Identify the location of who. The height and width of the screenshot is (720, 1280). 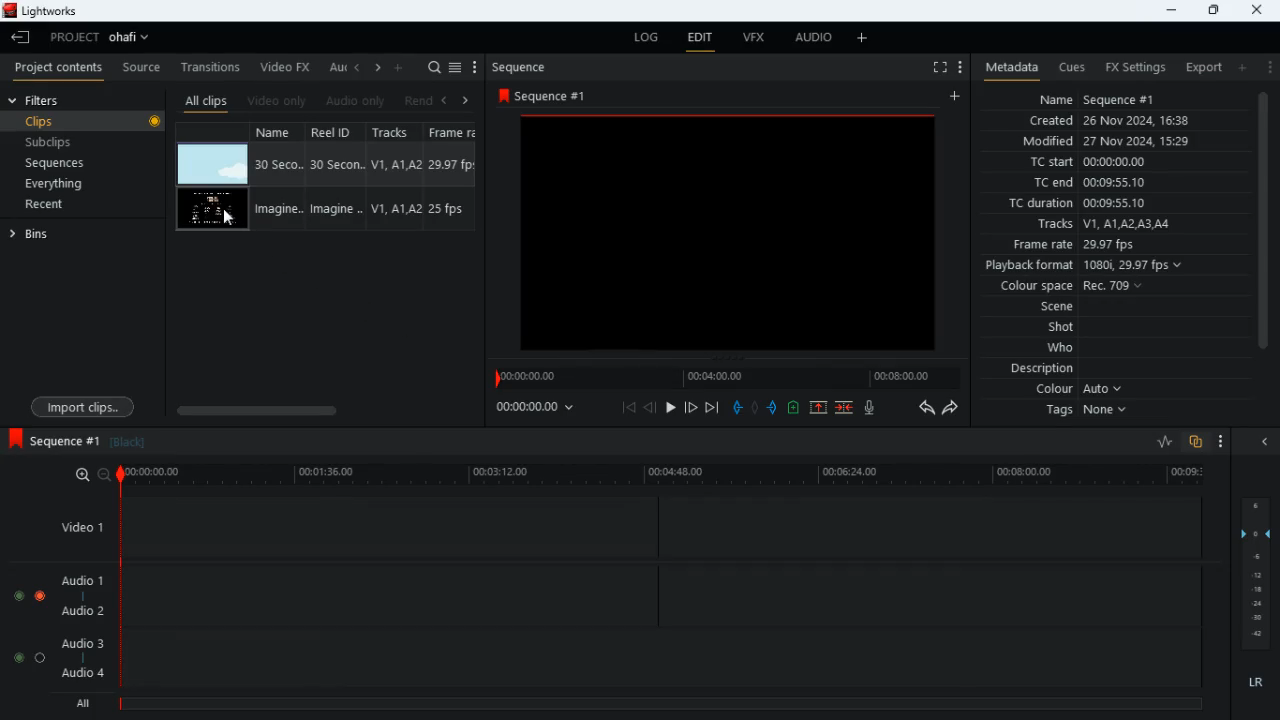
(1065, 348).